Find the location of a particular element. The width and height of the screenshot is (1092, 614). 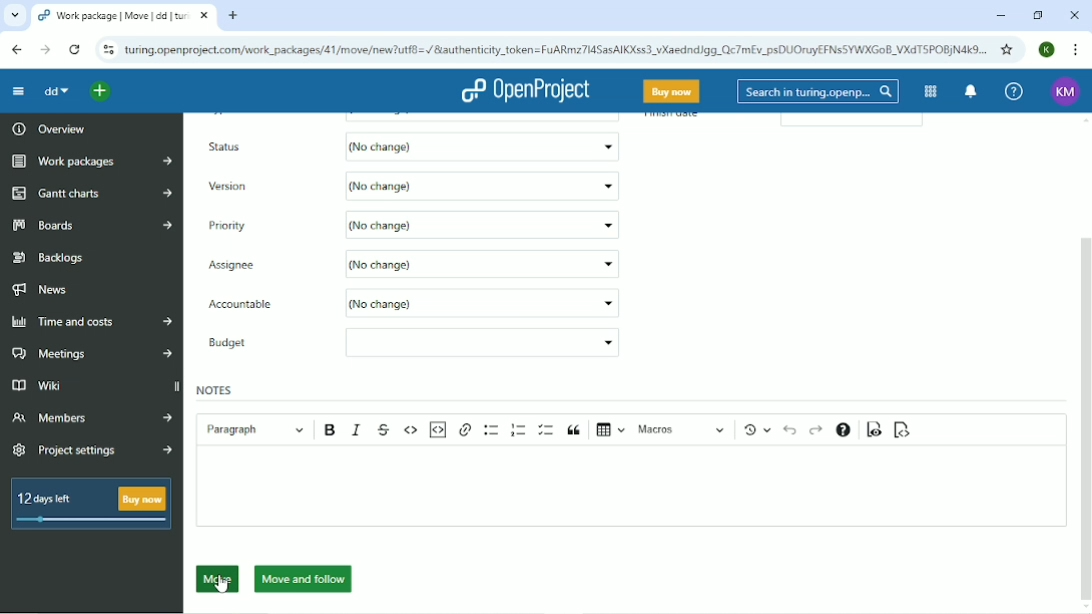

Toggle preview mode is located at coordinates (875, 427).